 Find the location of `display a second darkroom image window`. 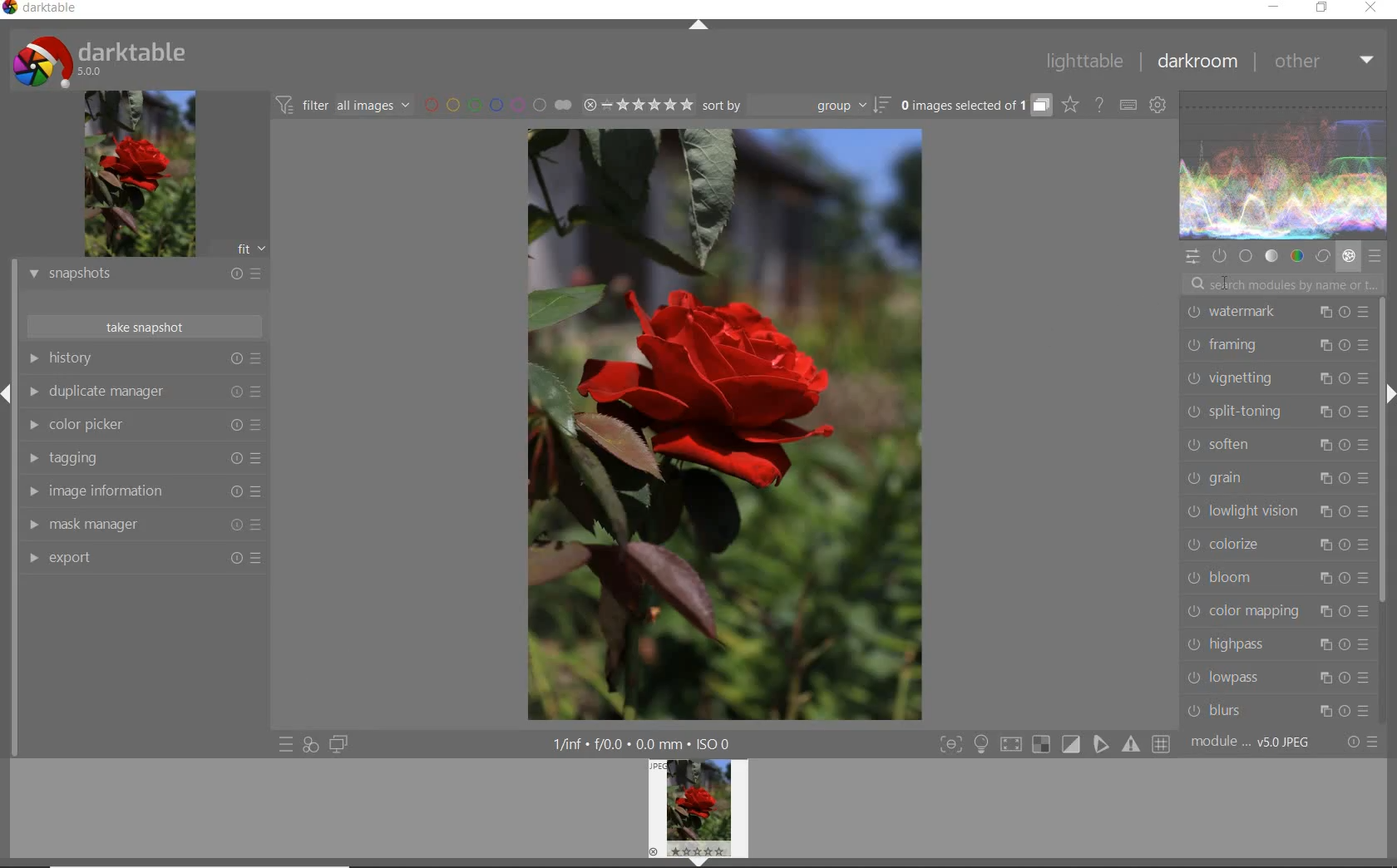

display a second darkroom image window is located at coordinates (338, 745).